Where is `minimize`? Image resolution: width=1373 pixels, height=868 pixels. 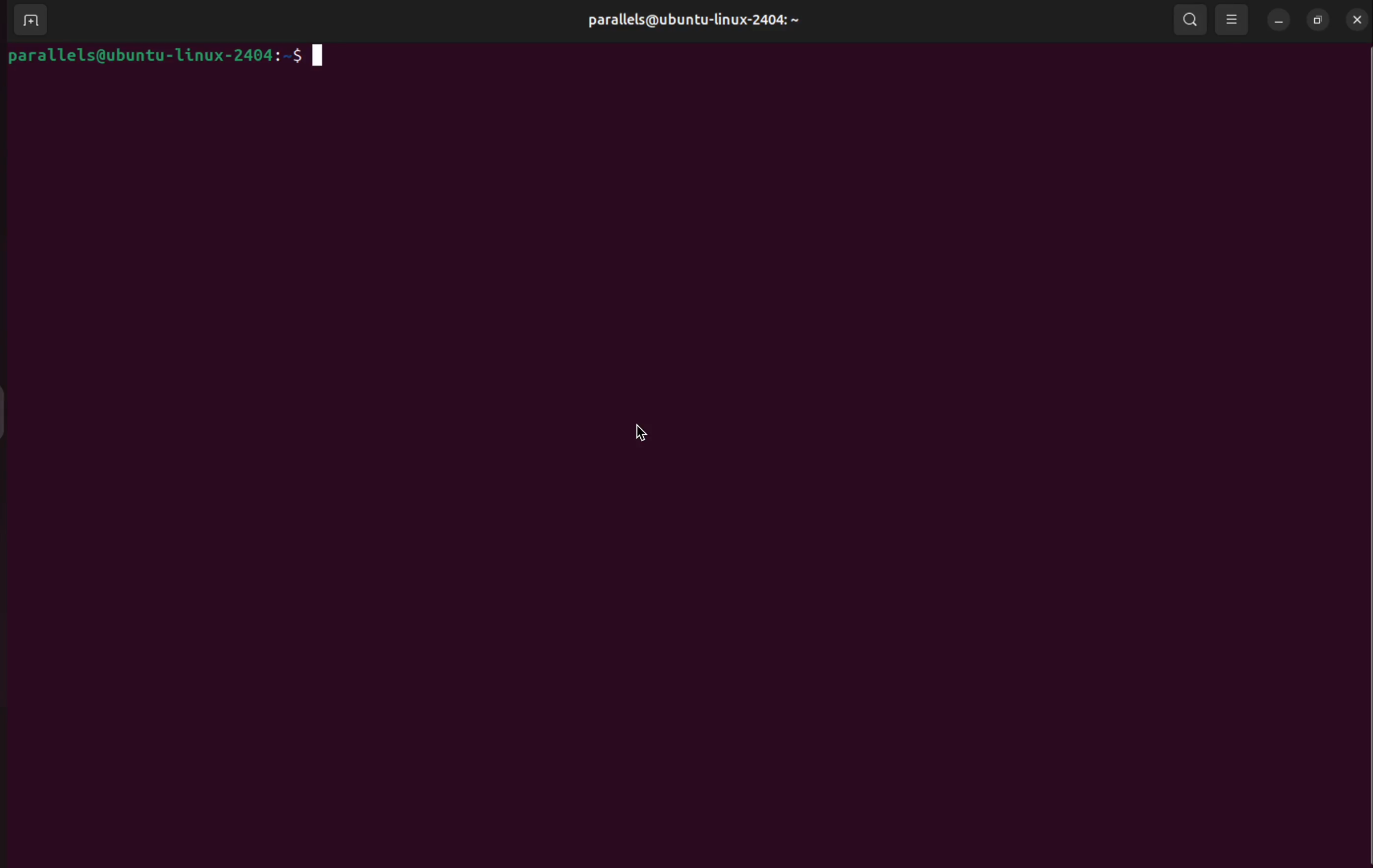
minimize is located at coordinates (1279, 21).